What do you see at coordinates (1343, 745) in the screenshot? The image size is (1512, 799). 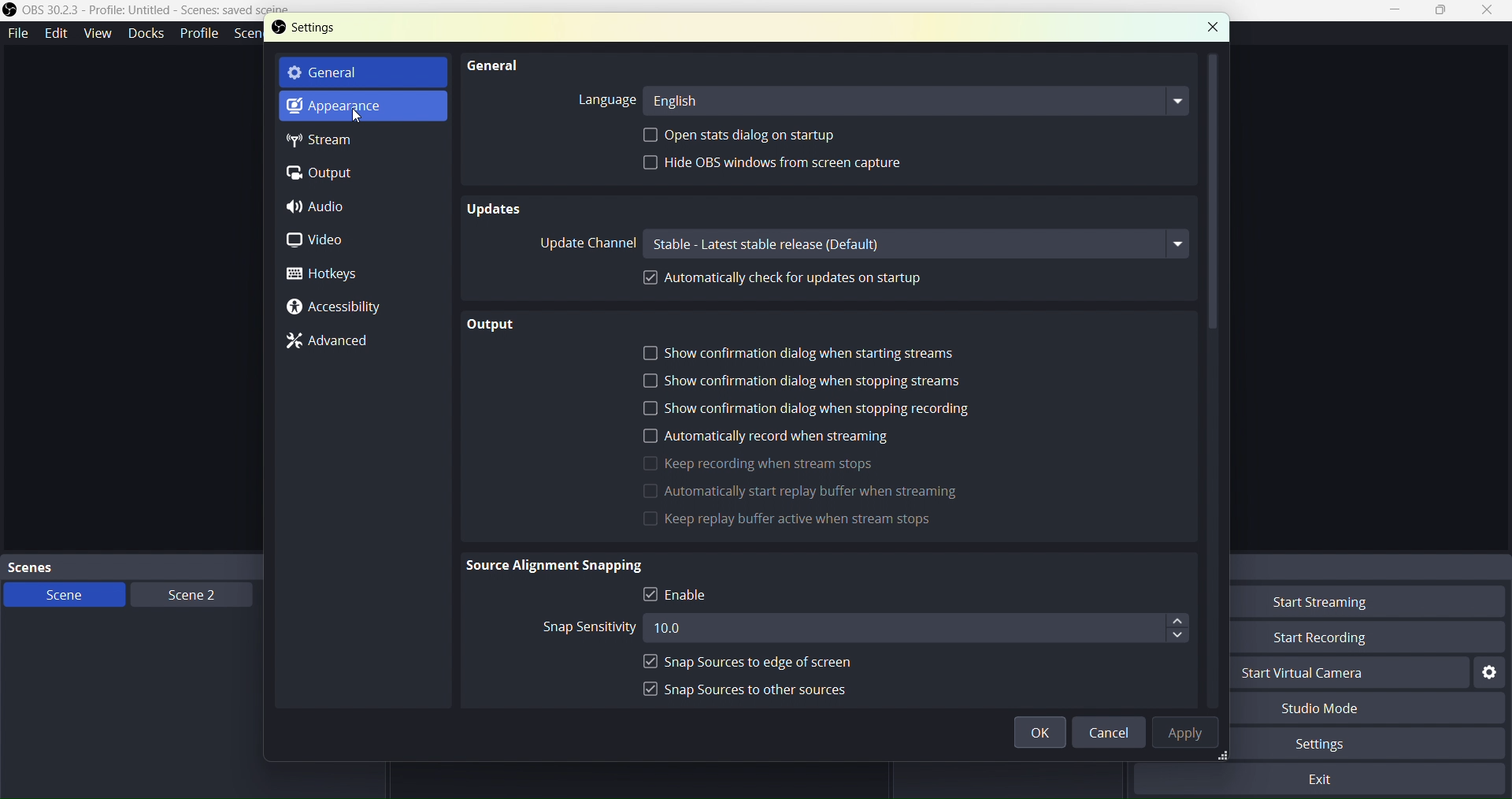 I see `Settings` at bounding box center [1343, 745].